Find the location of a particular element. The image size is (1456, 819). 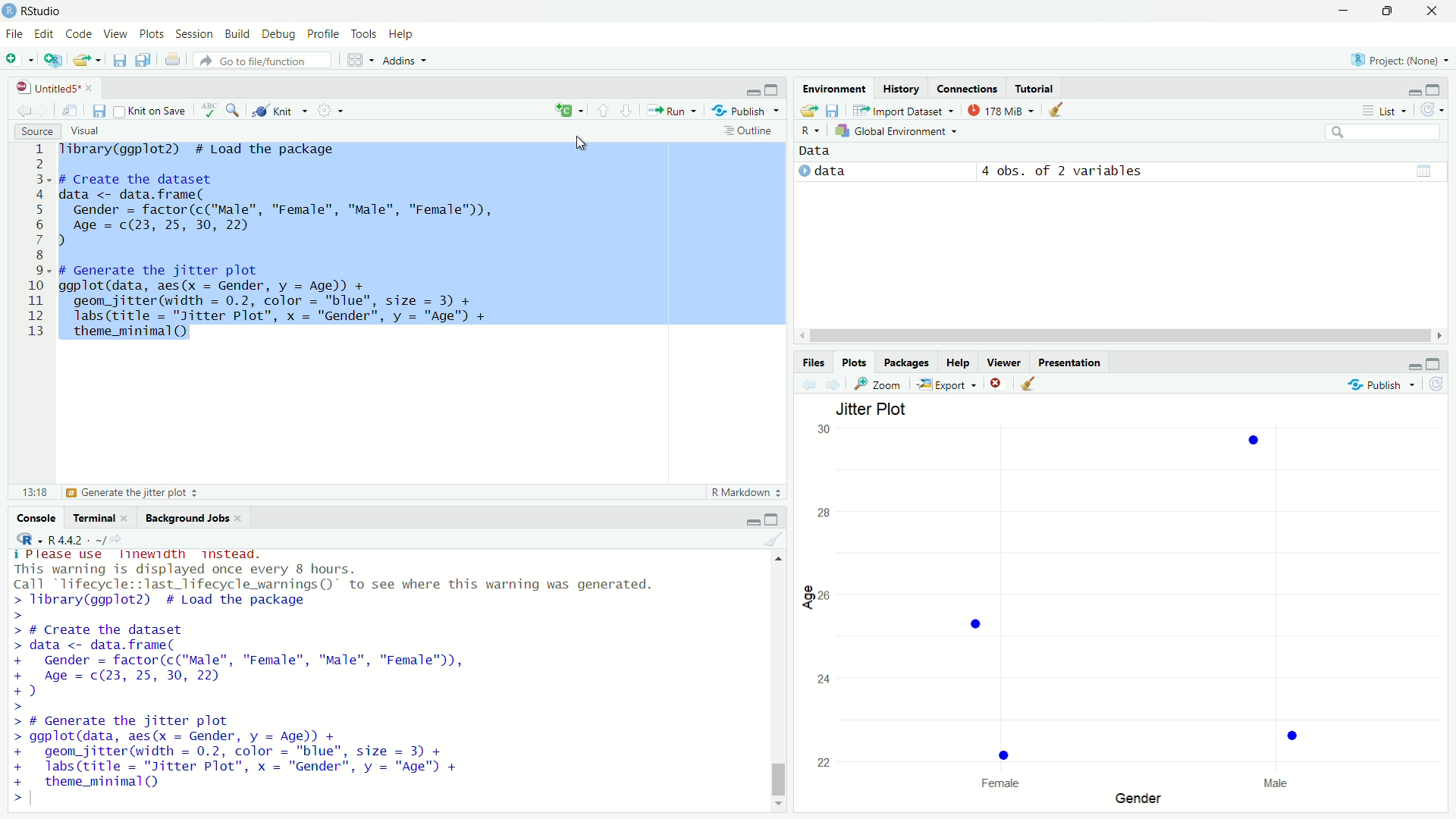

show in new window is located at coordinates (71, 110).